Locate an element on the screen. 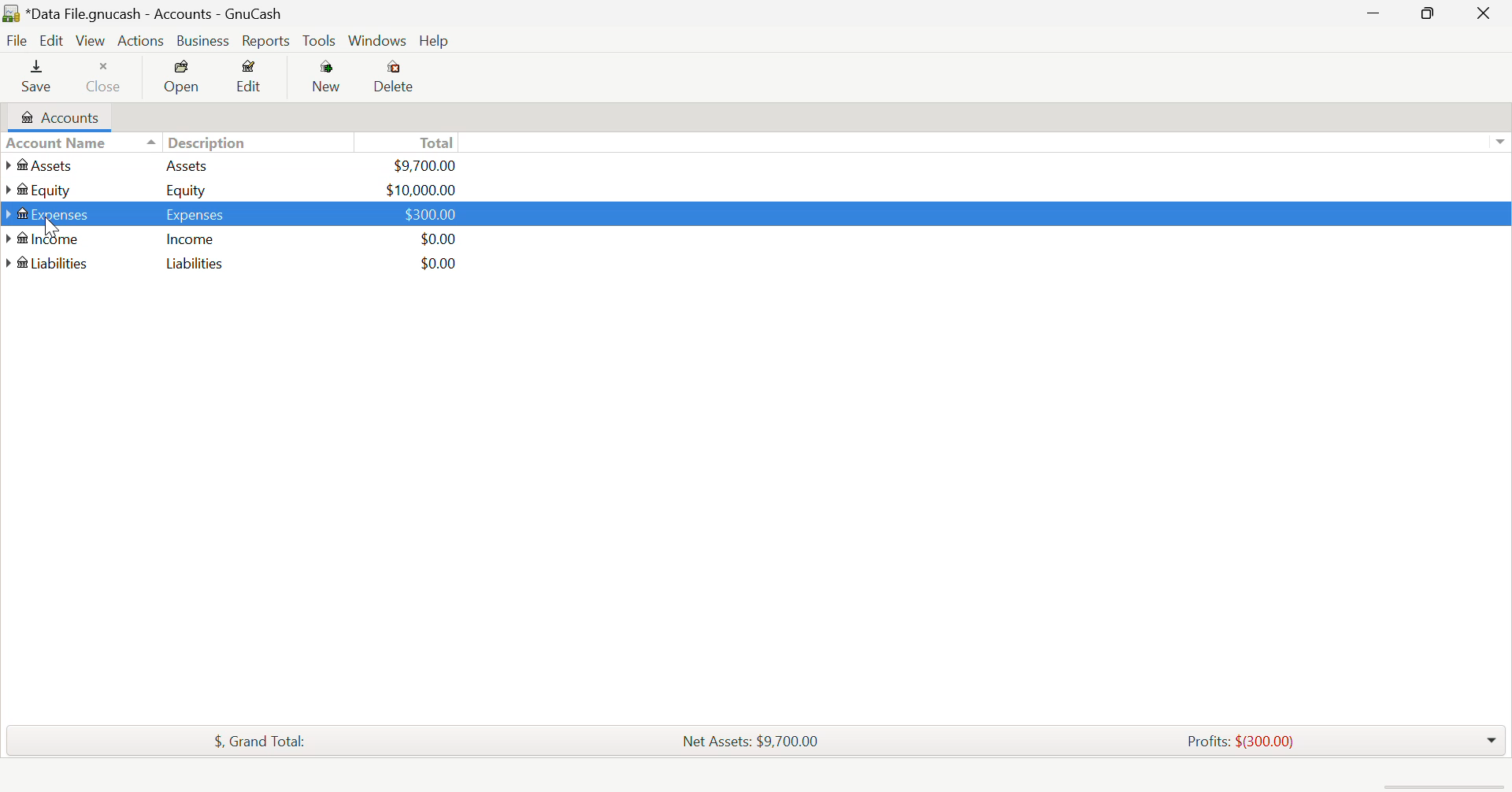 The width and height of the screenshot is (1512, 792). Reports is located at coordinates (268, 42).